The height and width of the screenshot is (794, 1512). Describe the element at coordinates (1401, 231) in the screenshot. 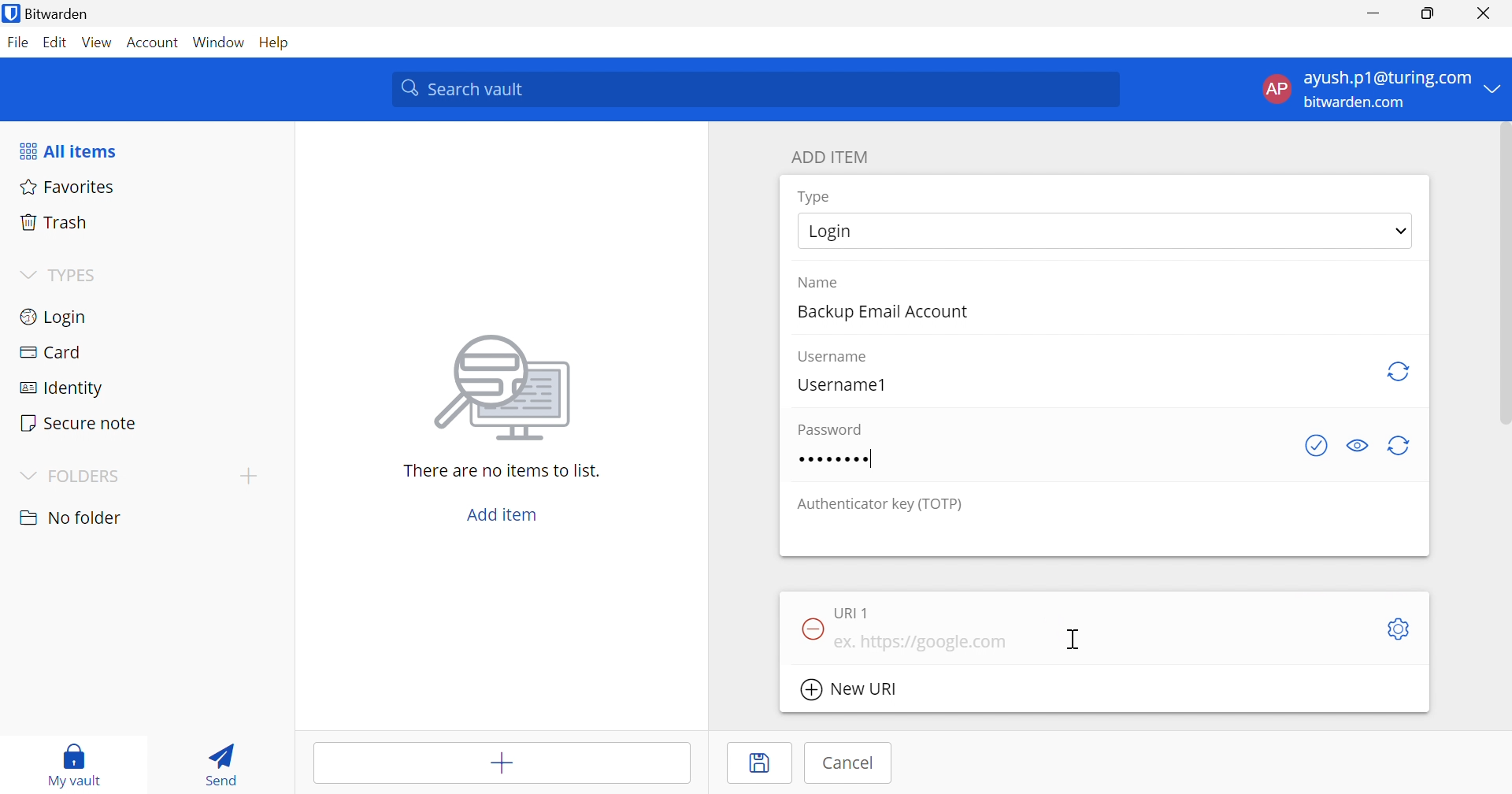

I see `Drop down` at that location.